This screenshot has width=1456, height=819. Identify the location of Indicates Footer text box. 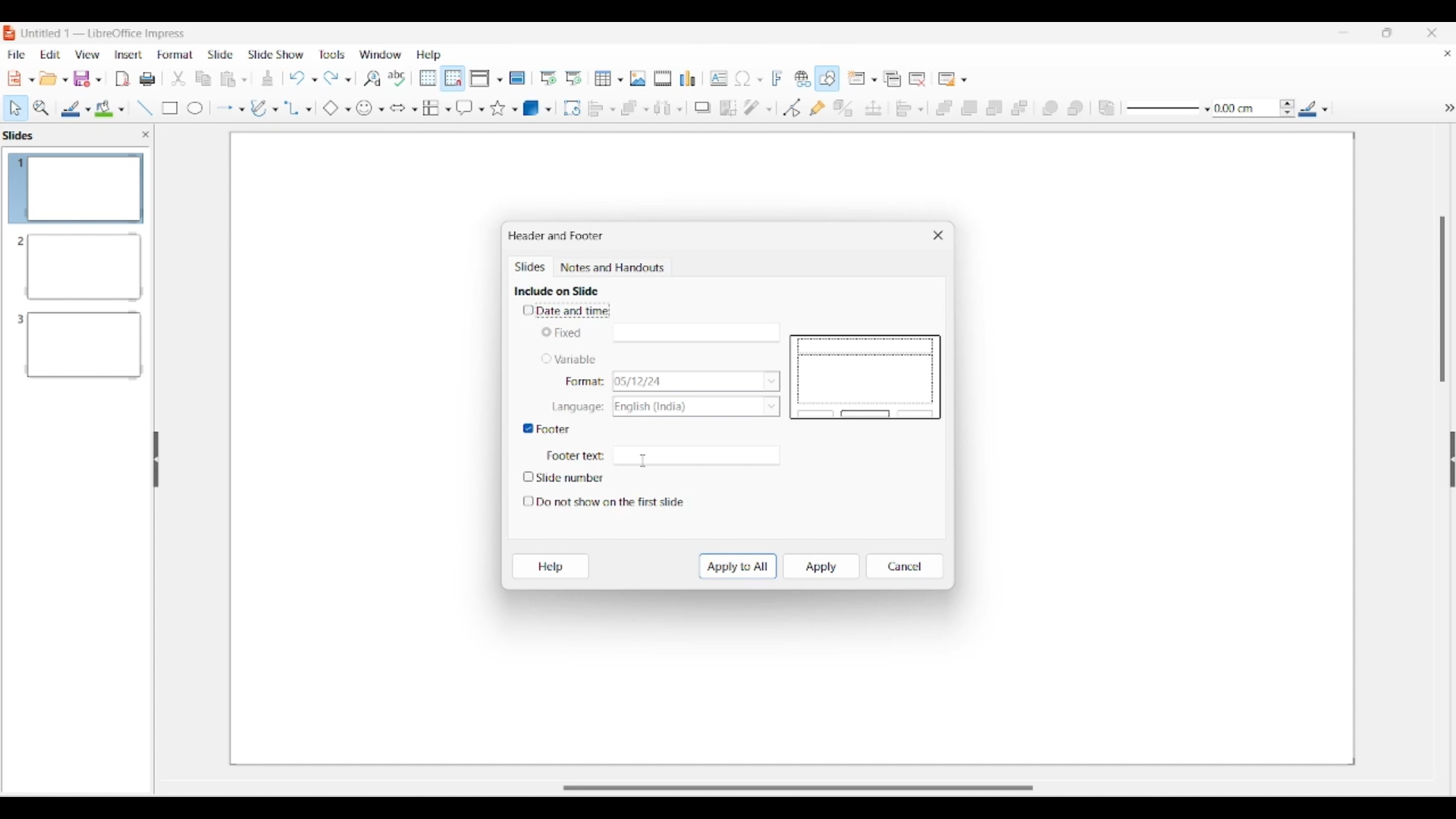
(575, 457).